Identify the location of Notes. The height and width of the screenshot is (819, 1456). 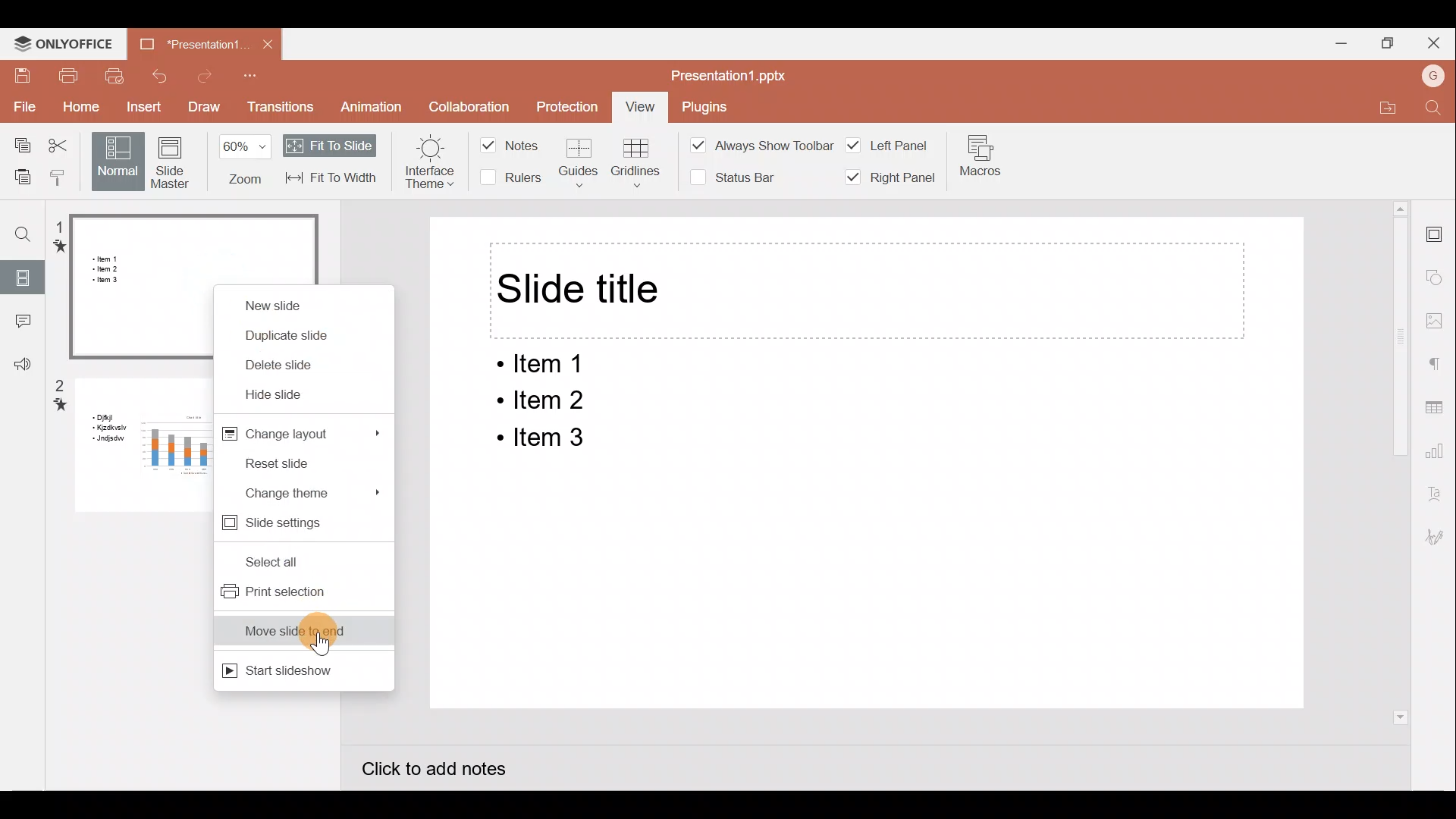
(515, 143).